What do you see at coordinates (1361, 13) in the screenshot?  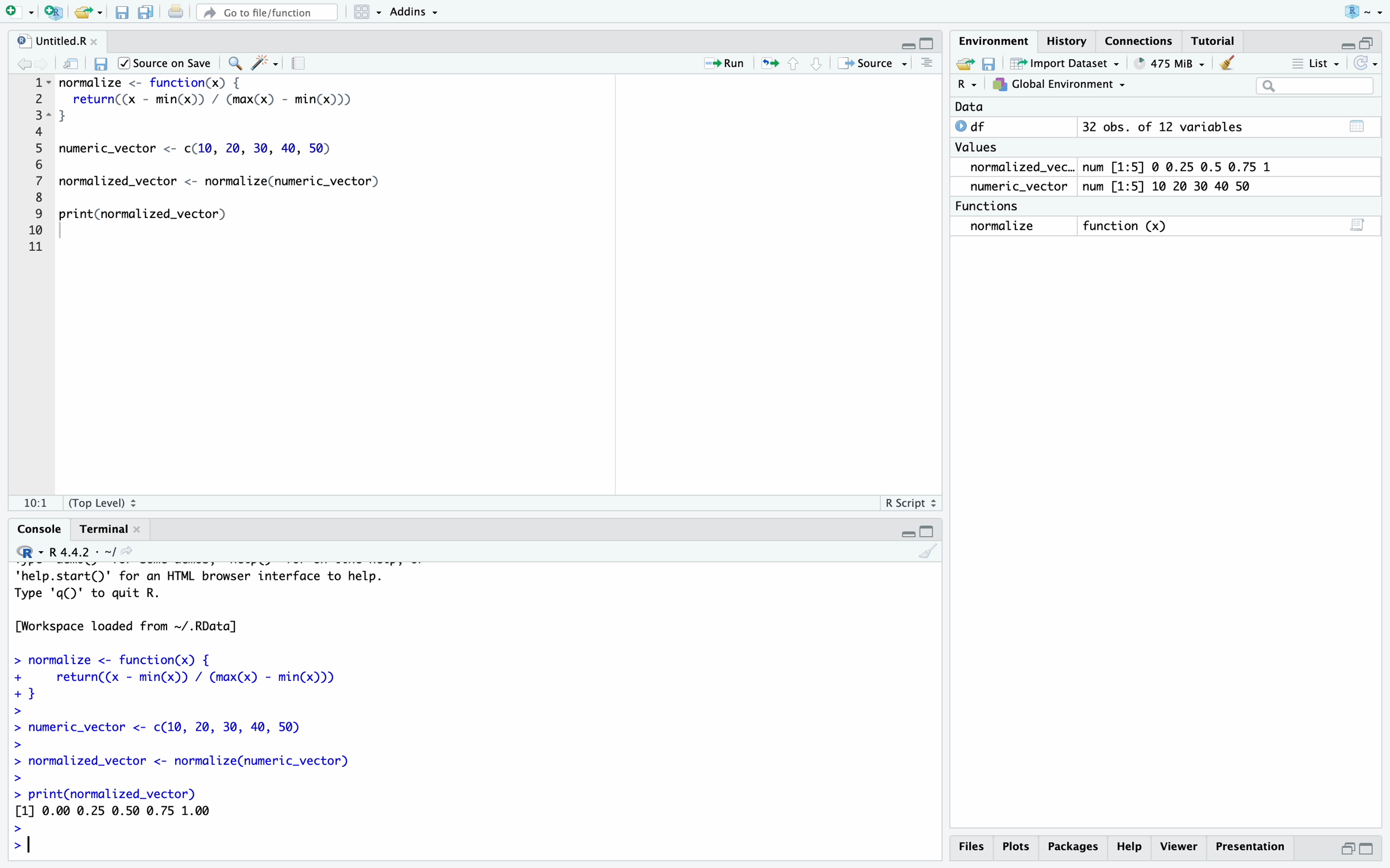 I see `R ~` at bounding box center [1361, 13].